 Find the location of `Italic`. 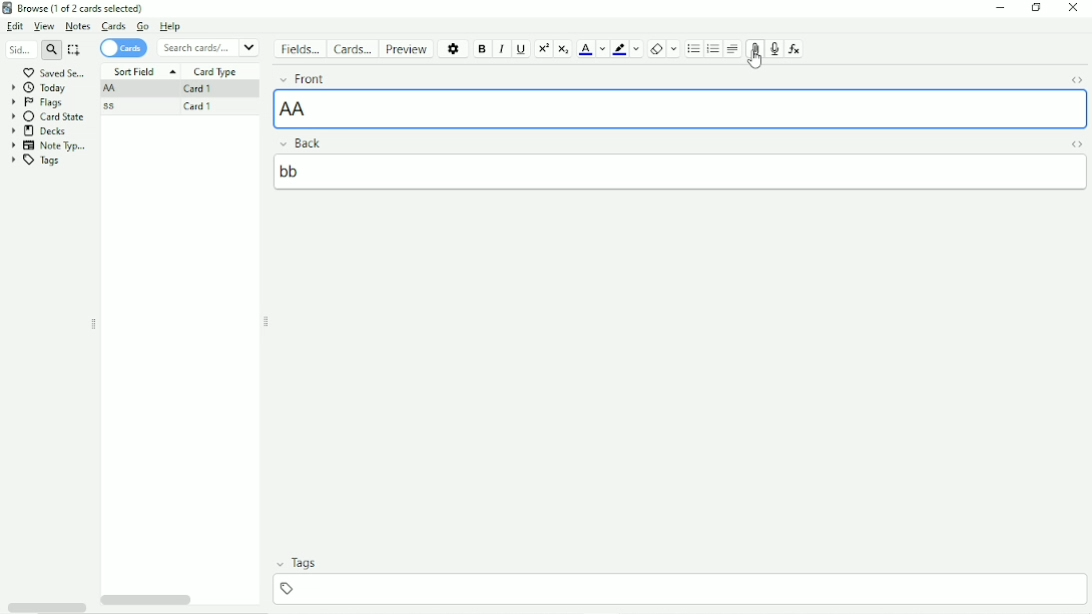

Italic is located at coordinates (501, 49).